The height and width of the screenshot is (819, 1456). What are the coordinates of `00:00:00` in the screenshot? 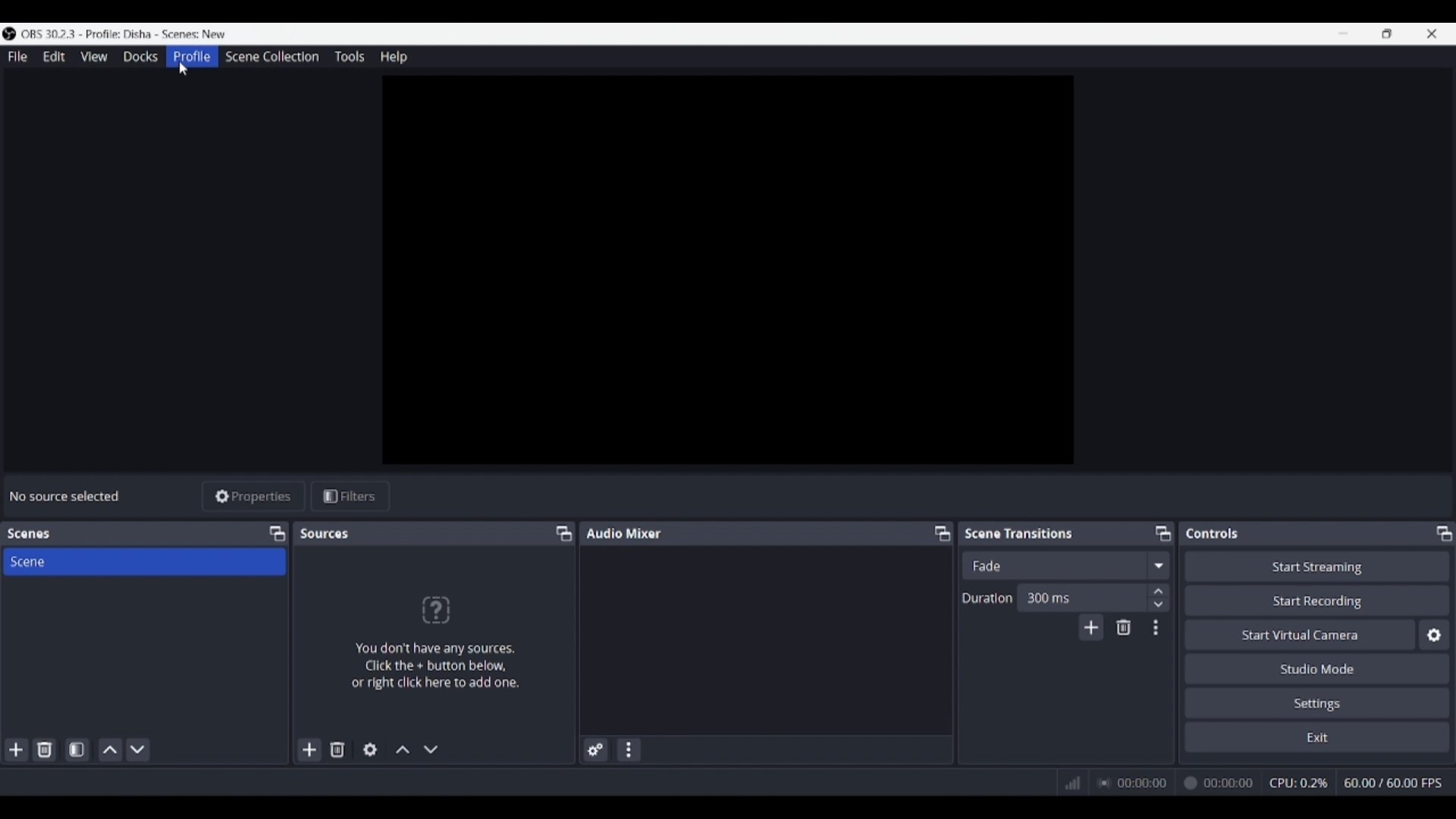 It's located at (1178, 783).